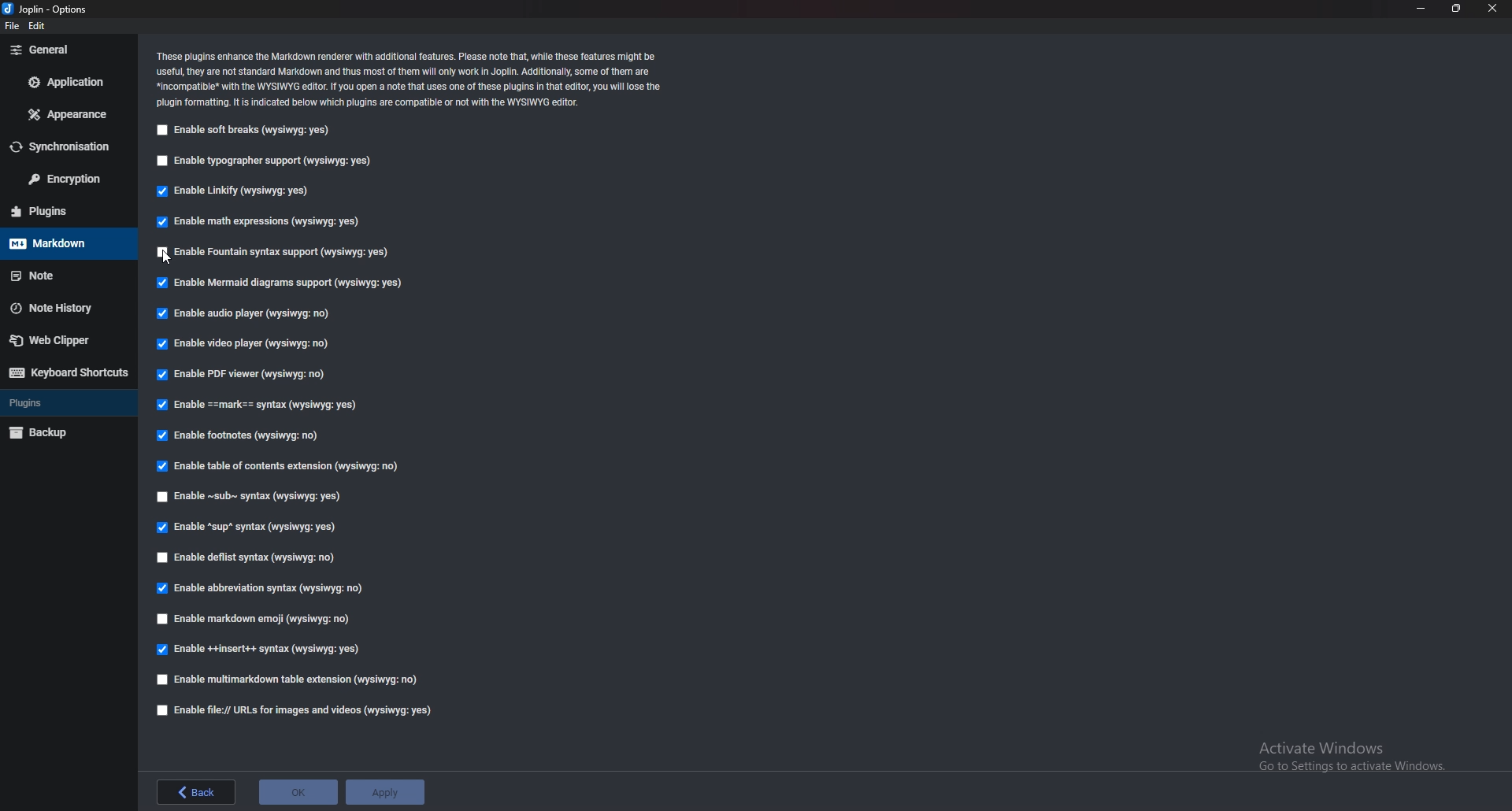 The image size is (1512, 811). What do you see at coordinates (1492, 8) in the screenshot?
I see `close` at bounding box center [1492, 8].